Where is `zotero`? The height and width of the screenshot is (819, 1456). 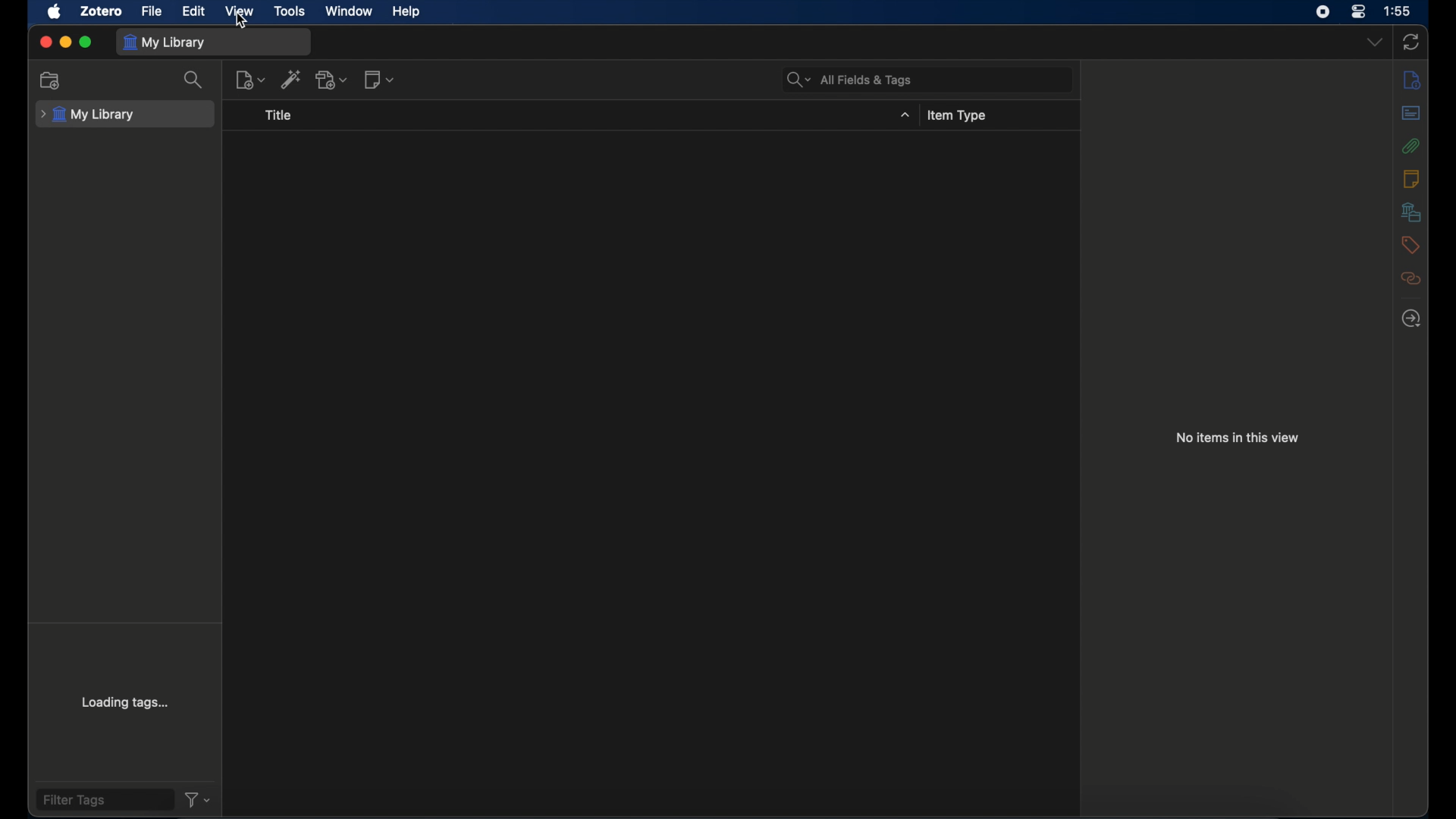
zotero is located at coordinates (100, 11).